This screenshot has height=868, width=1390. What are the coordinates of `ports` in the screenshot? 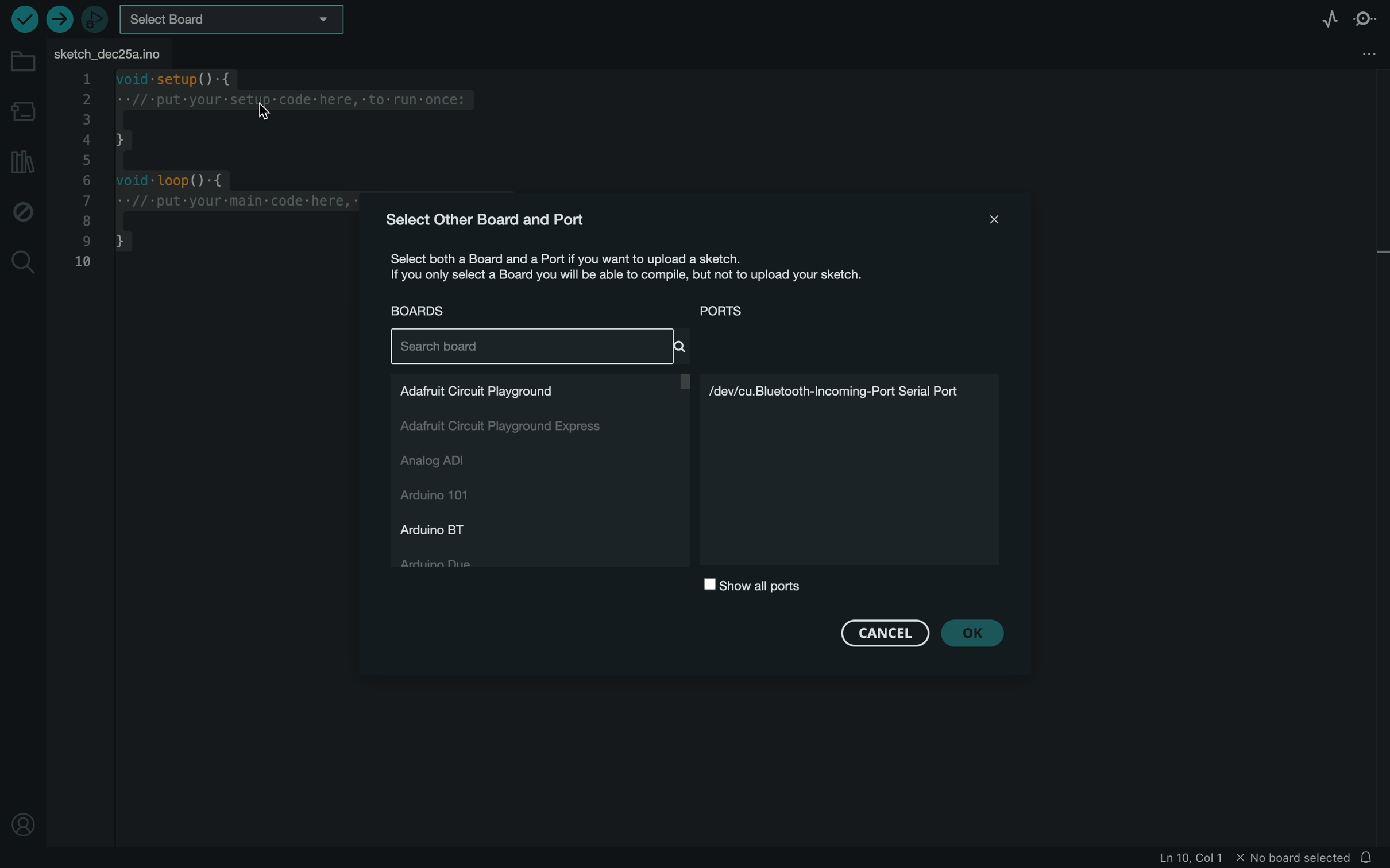 It's located at (757, 311).